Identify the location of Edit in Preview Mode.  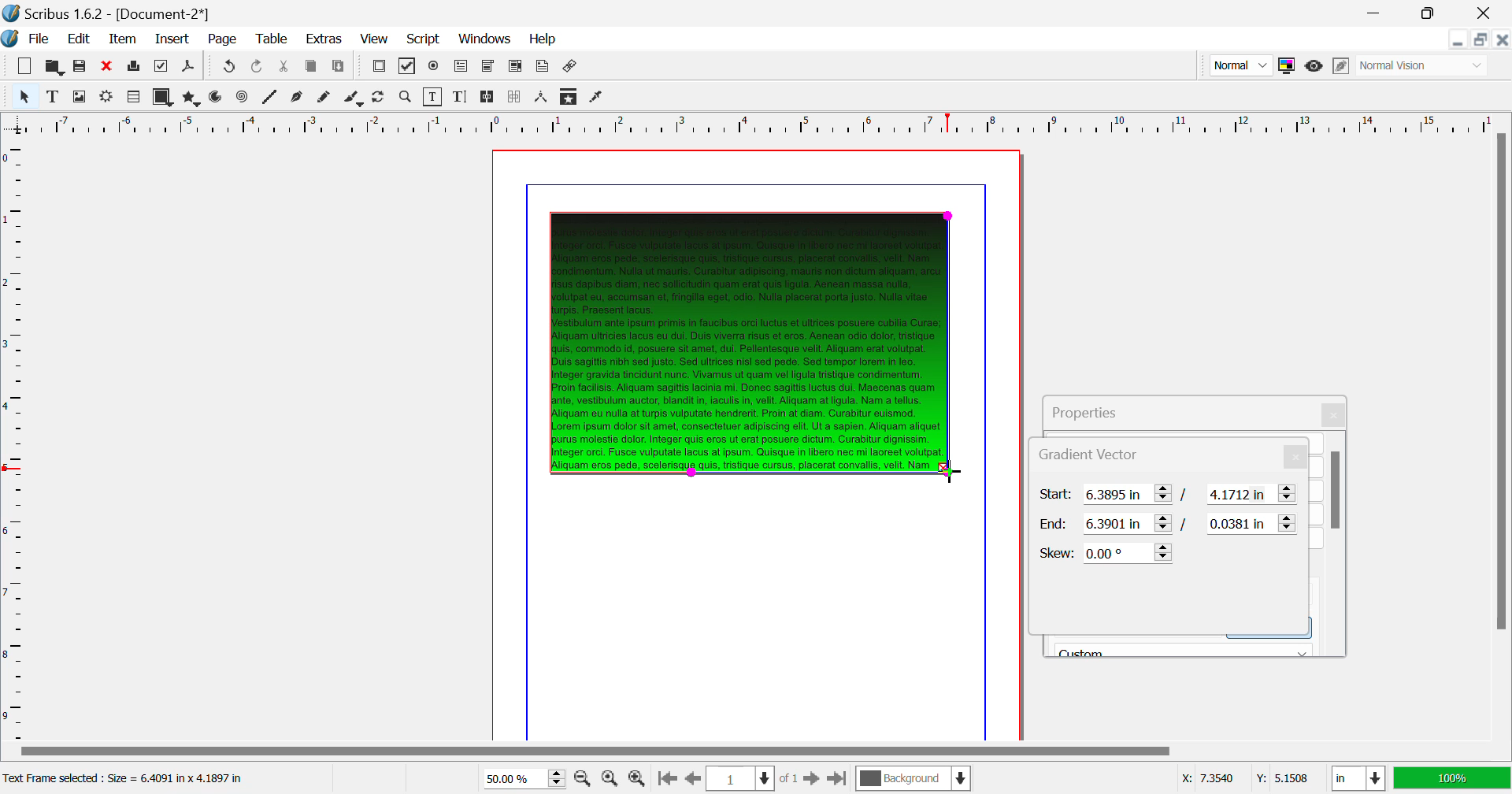
(1343, 66).